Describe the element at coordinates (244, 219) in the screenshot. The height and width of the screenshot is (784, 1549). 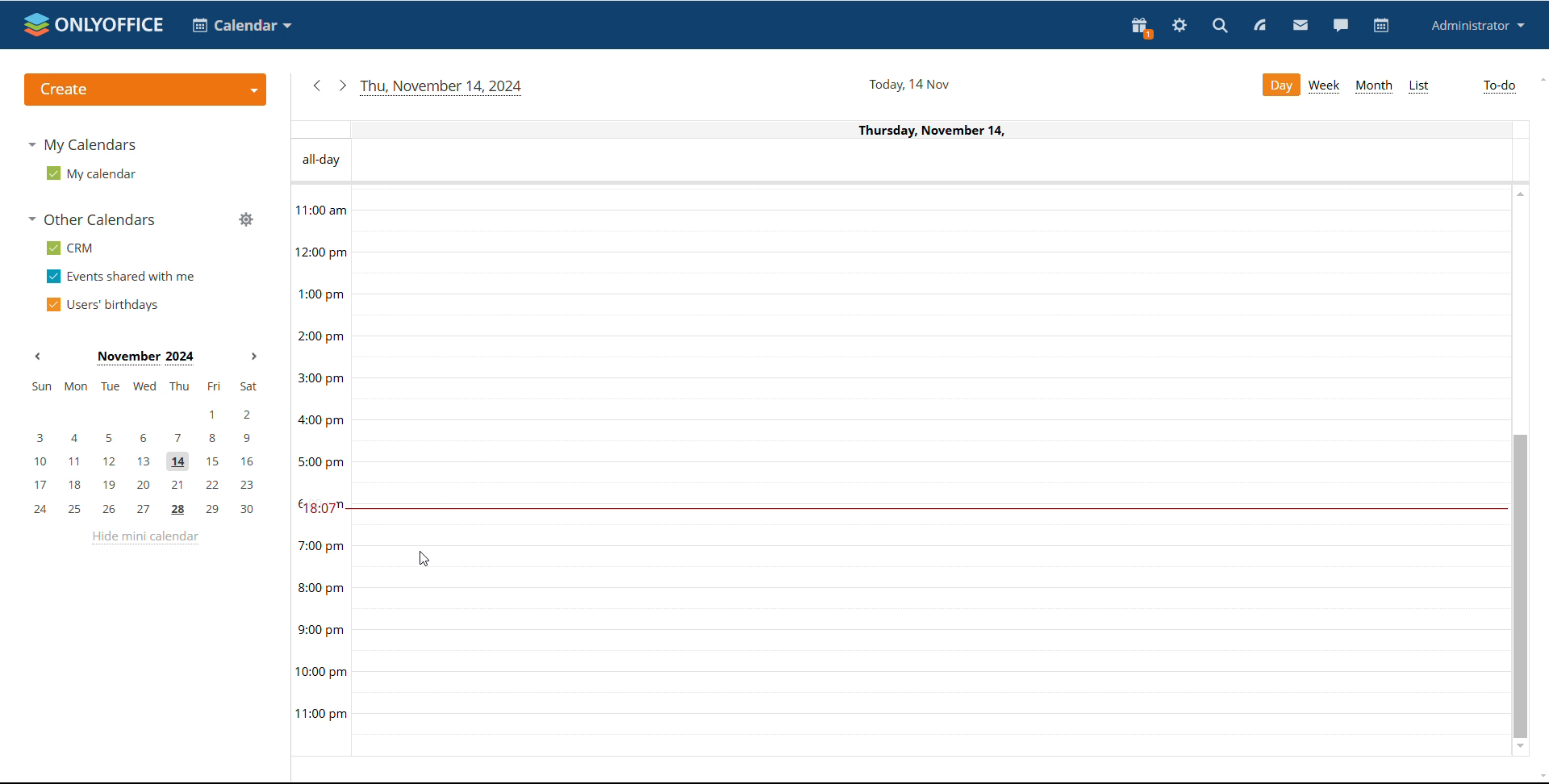
I see `manage` at that location.